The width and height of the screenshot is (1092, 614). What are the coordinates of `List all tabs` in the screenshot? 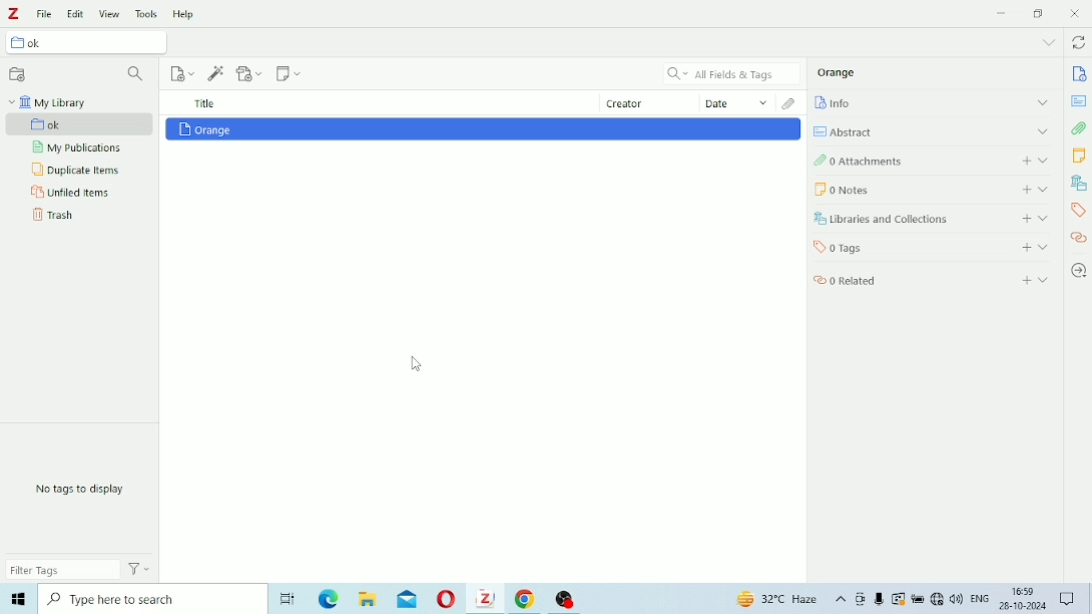 It's located at (1048, 43).